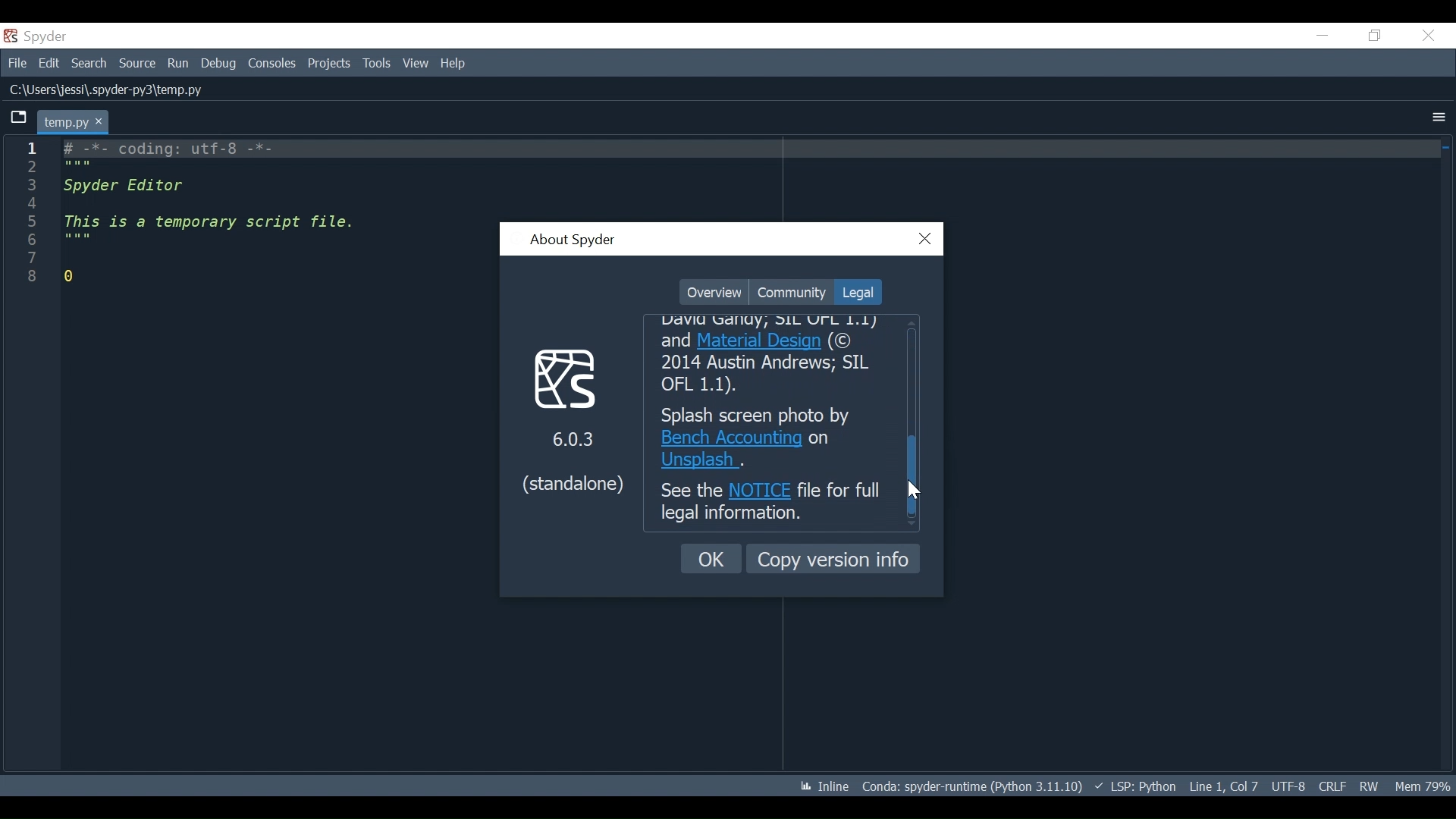 The width and height of the screenshot is (1456, 819). I want to click on About Spyder, so click(572, 241).